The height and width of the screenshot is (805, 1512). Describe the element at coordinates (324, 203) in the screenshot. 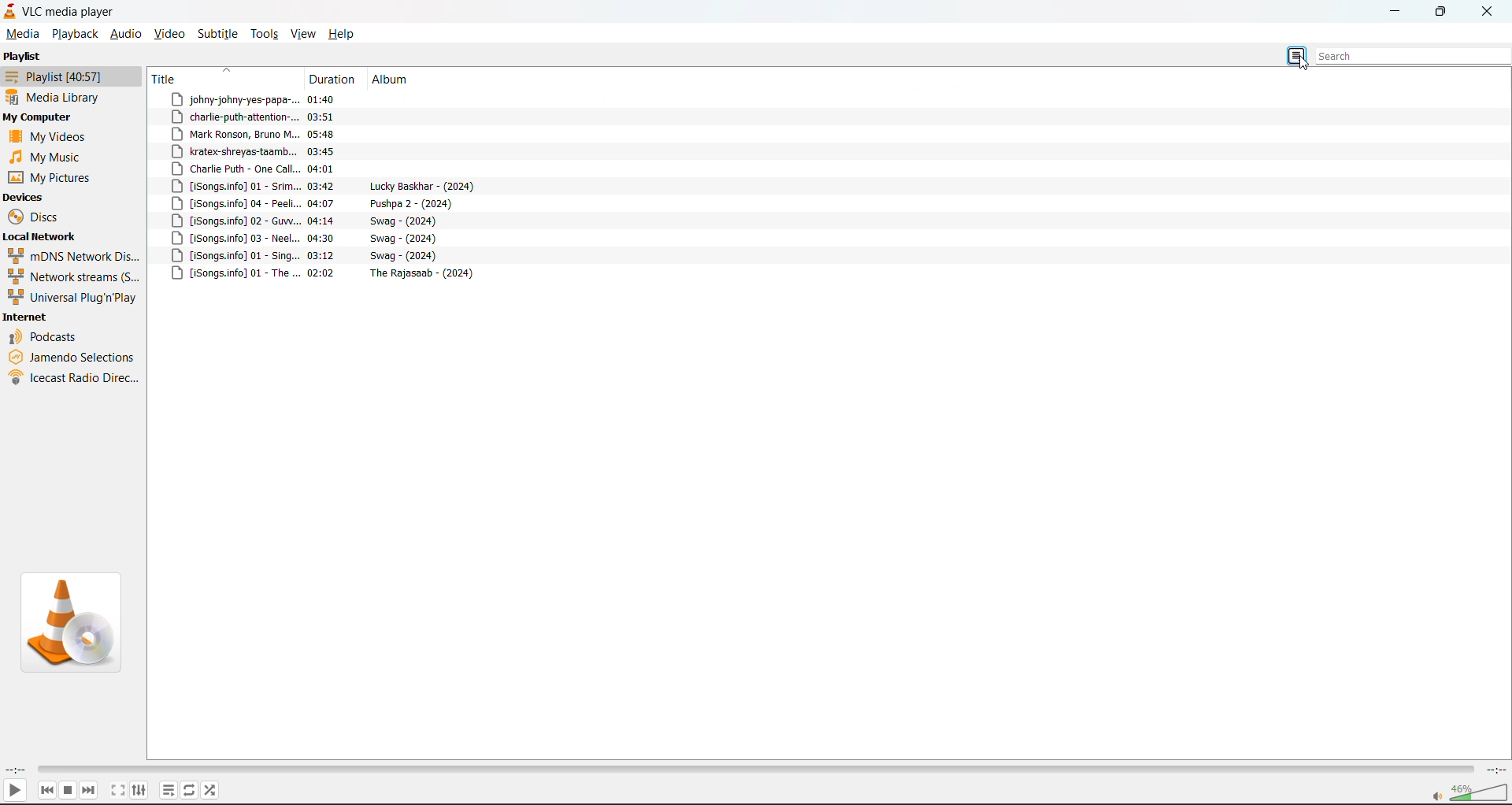

I see `track title with duration and album details` at that location.